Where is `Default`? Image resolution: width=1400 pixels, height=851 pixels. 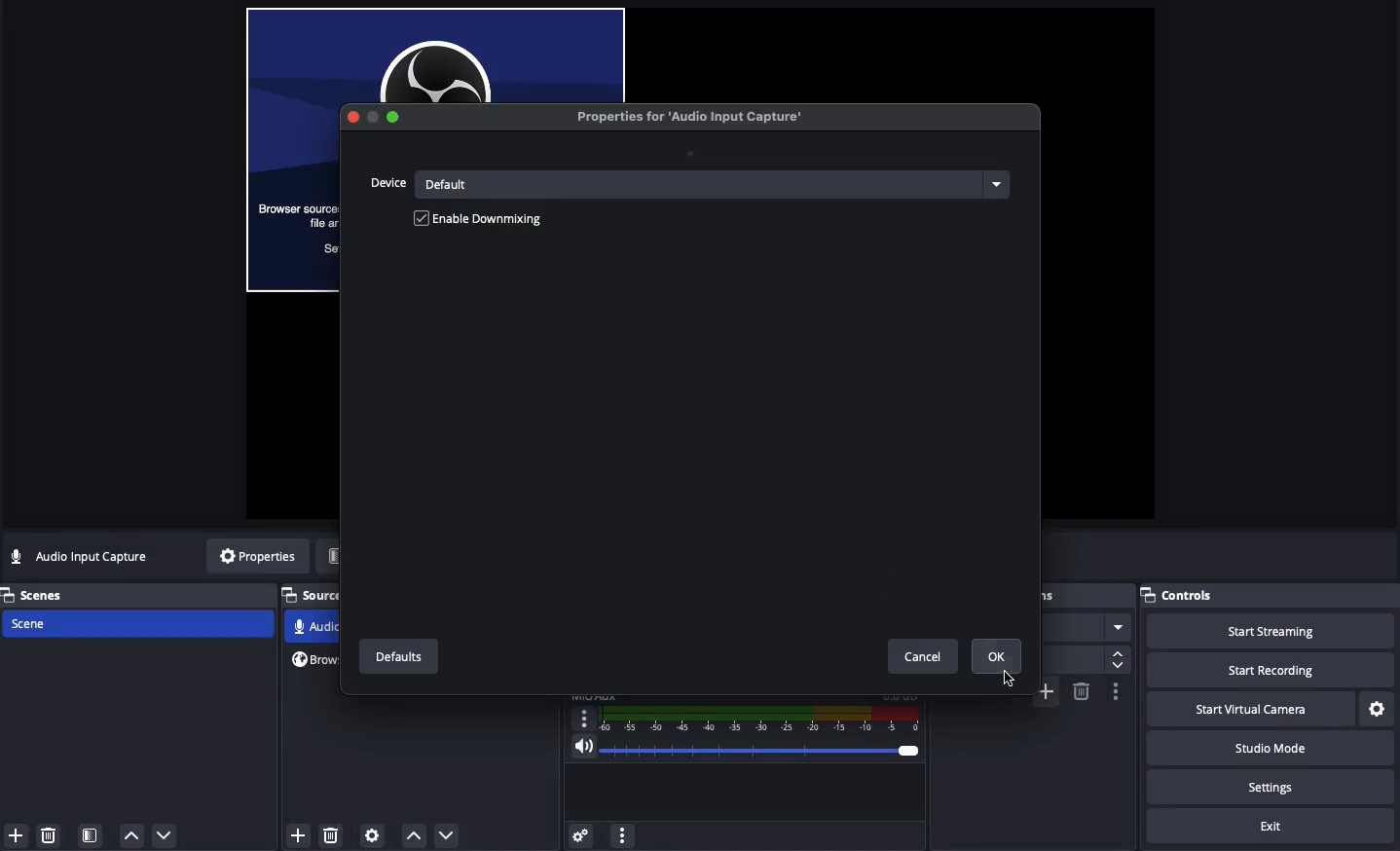 Default is located at coordinates (717, 184).